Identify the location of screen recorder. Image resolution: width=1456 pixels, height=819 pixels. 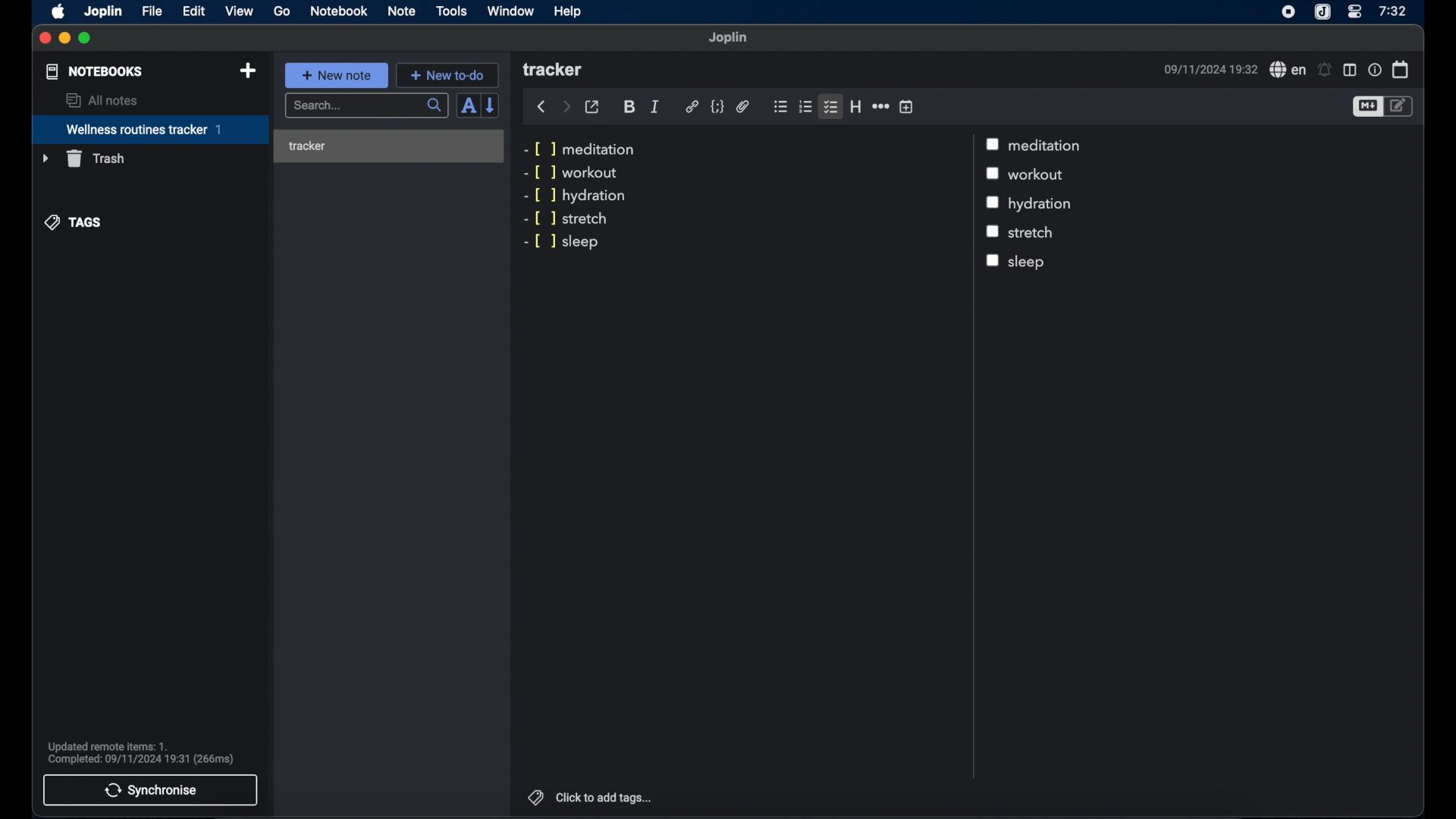
(1288, 11).